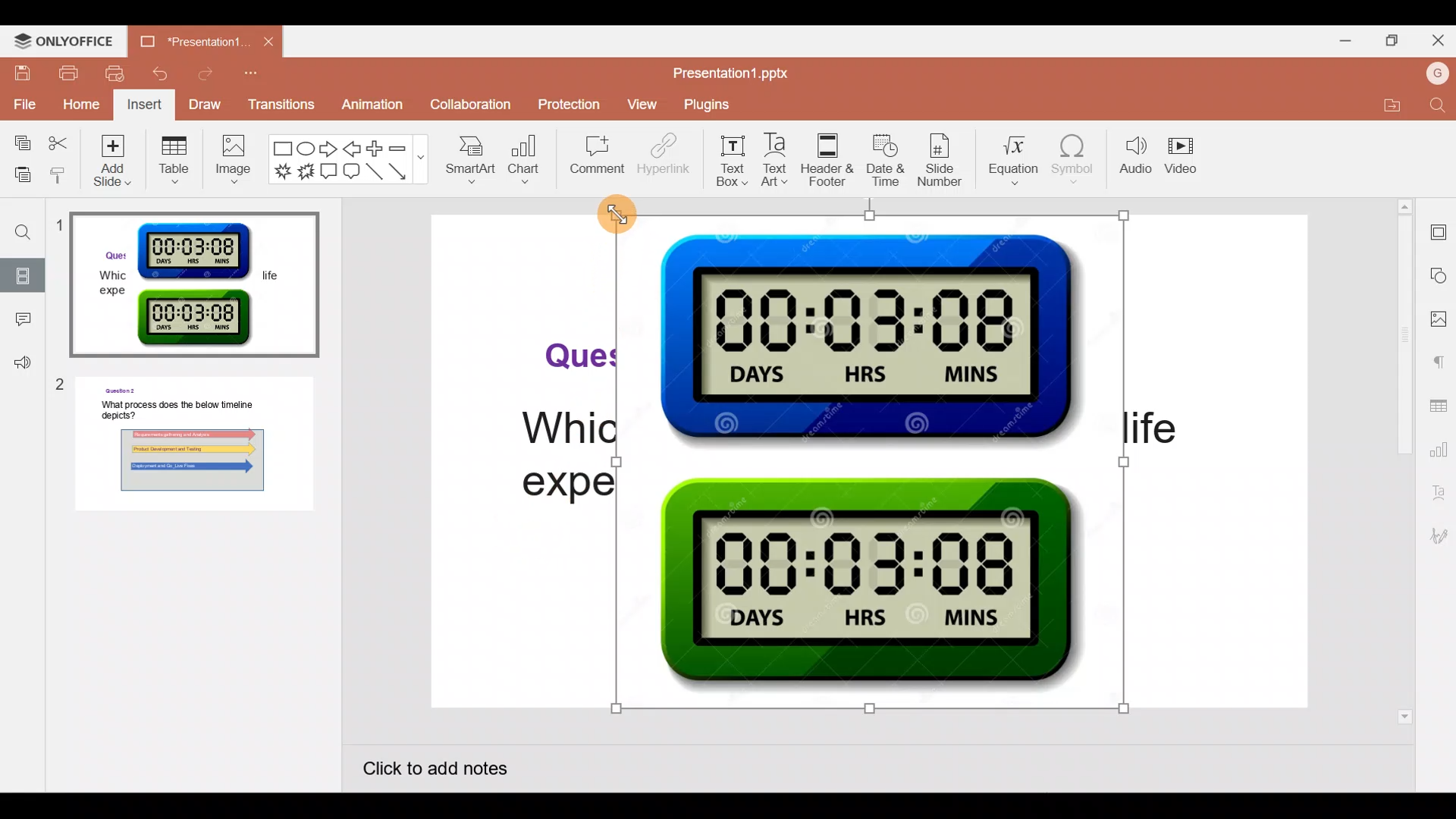 The height and width of the screenshot is (819, 1456). I want to click on Copy, so click(19, 143).